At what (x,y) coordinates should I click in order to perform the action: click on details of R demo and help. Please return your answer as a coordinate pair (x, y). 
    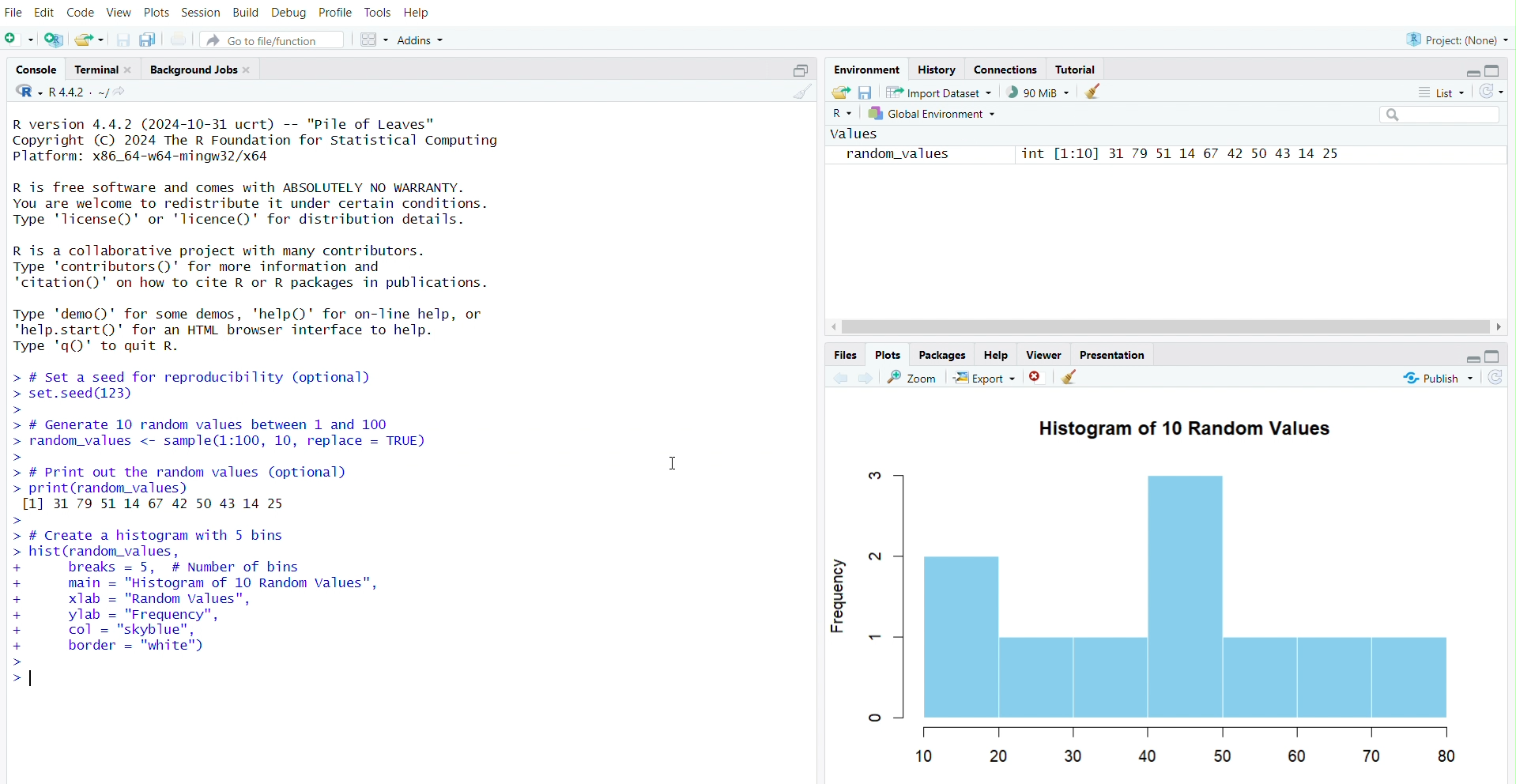
    Looking at the image, I should click on (283, 330).